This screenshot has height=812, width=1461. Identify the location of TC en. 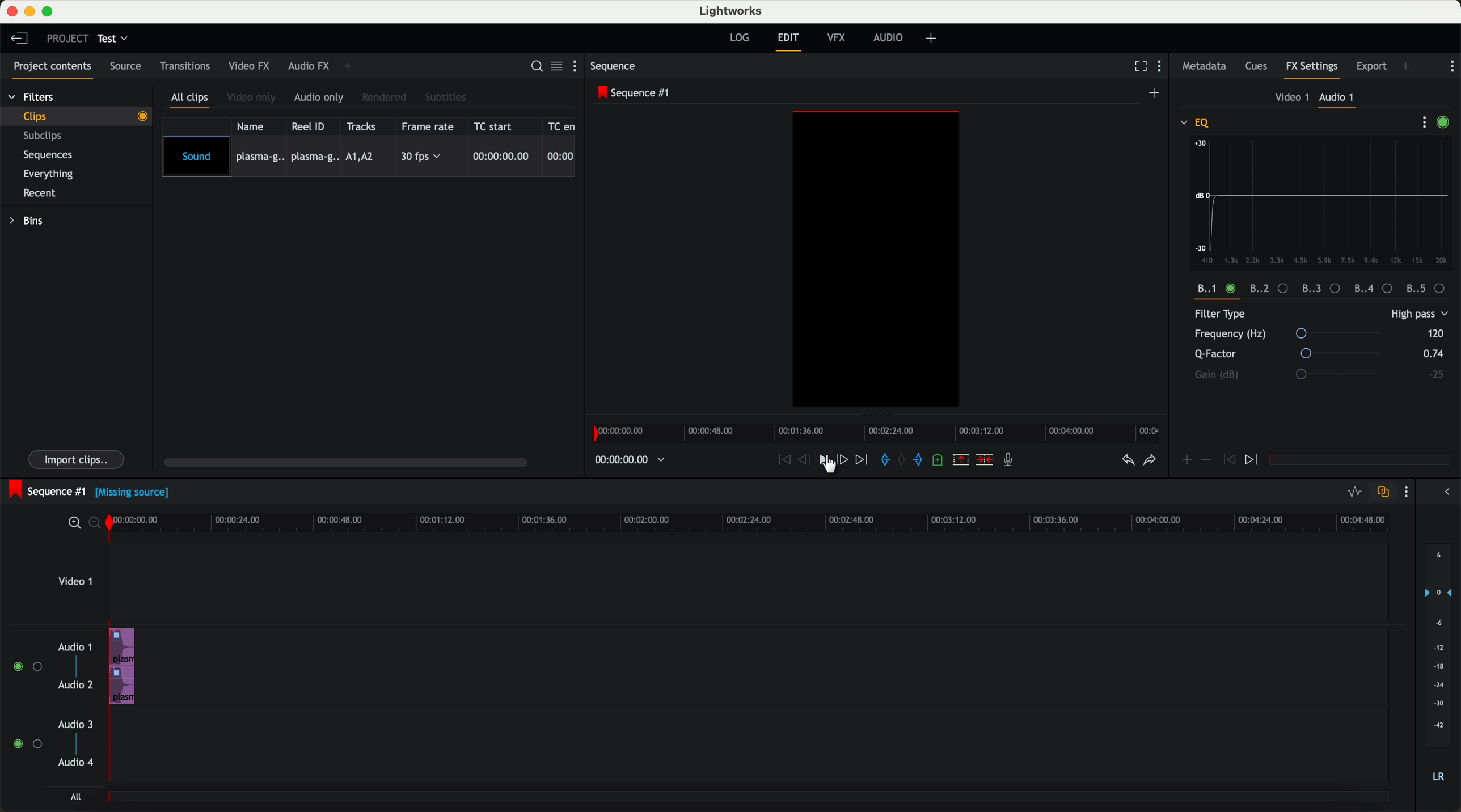
(562, 125).